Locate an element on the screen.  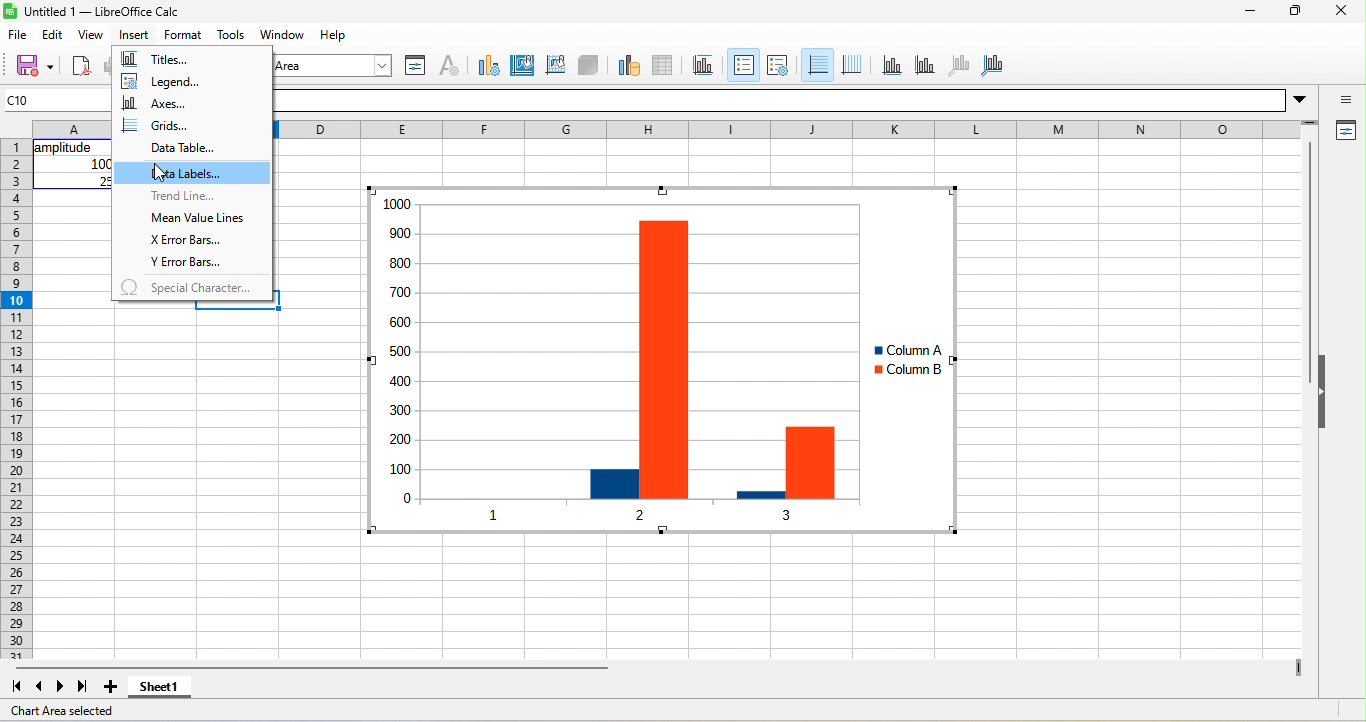
chart area selected is located at coordinates (71, 711).